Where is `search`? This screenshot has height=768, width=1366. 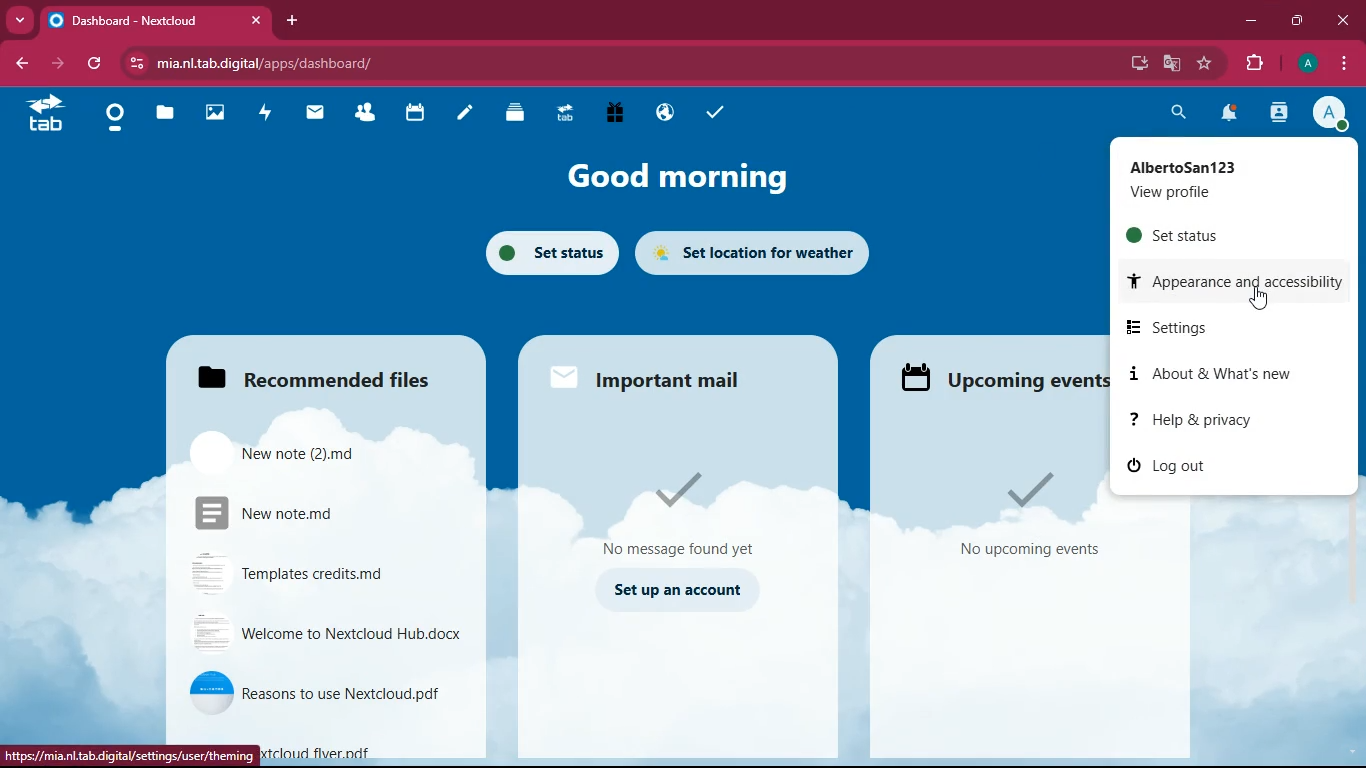
search is located at coordinates (1180, 114).